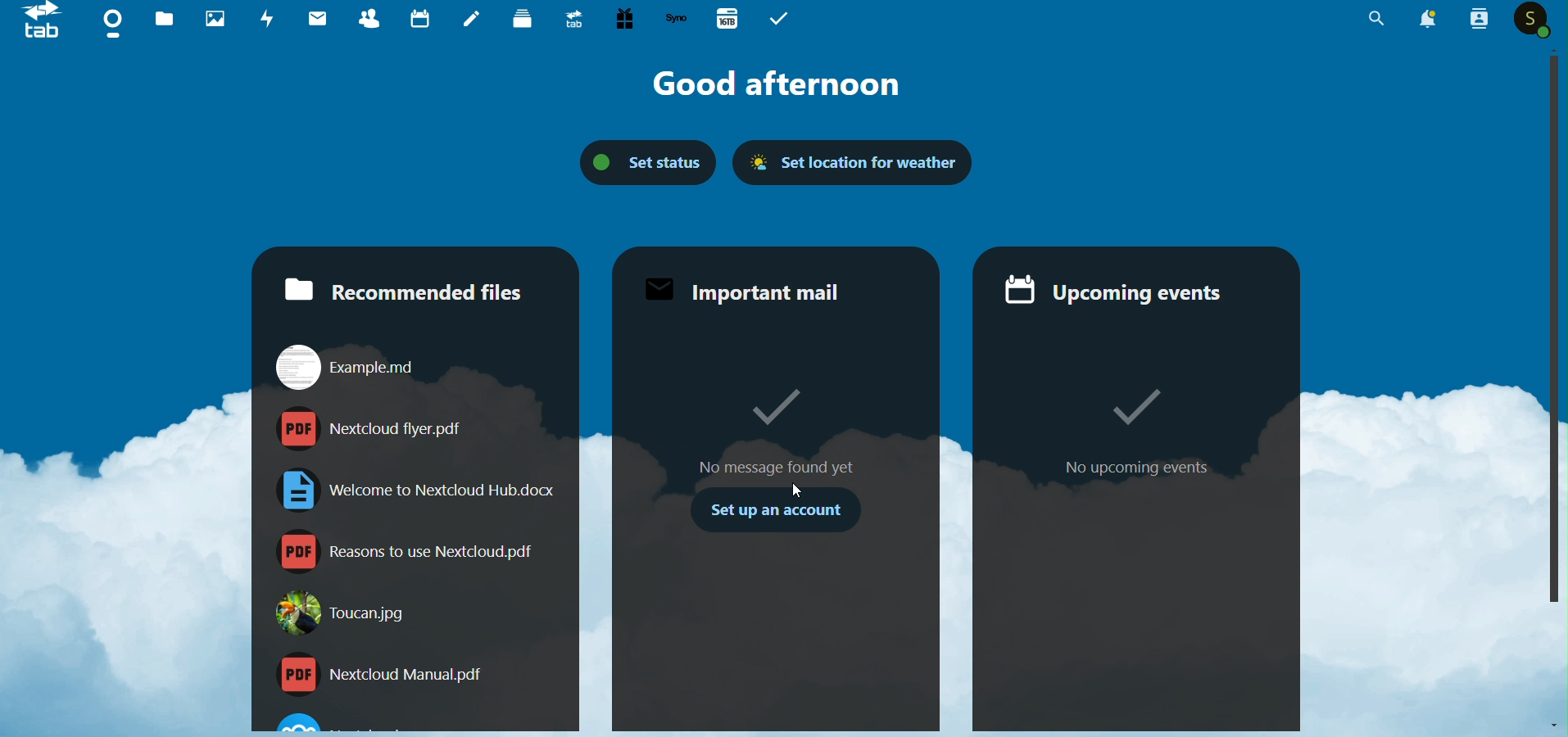 The height and width of the screenshot is (737, 1568). Describe the element at coordinates (673, 20) in the screenshot. I see `Synology` at that location.